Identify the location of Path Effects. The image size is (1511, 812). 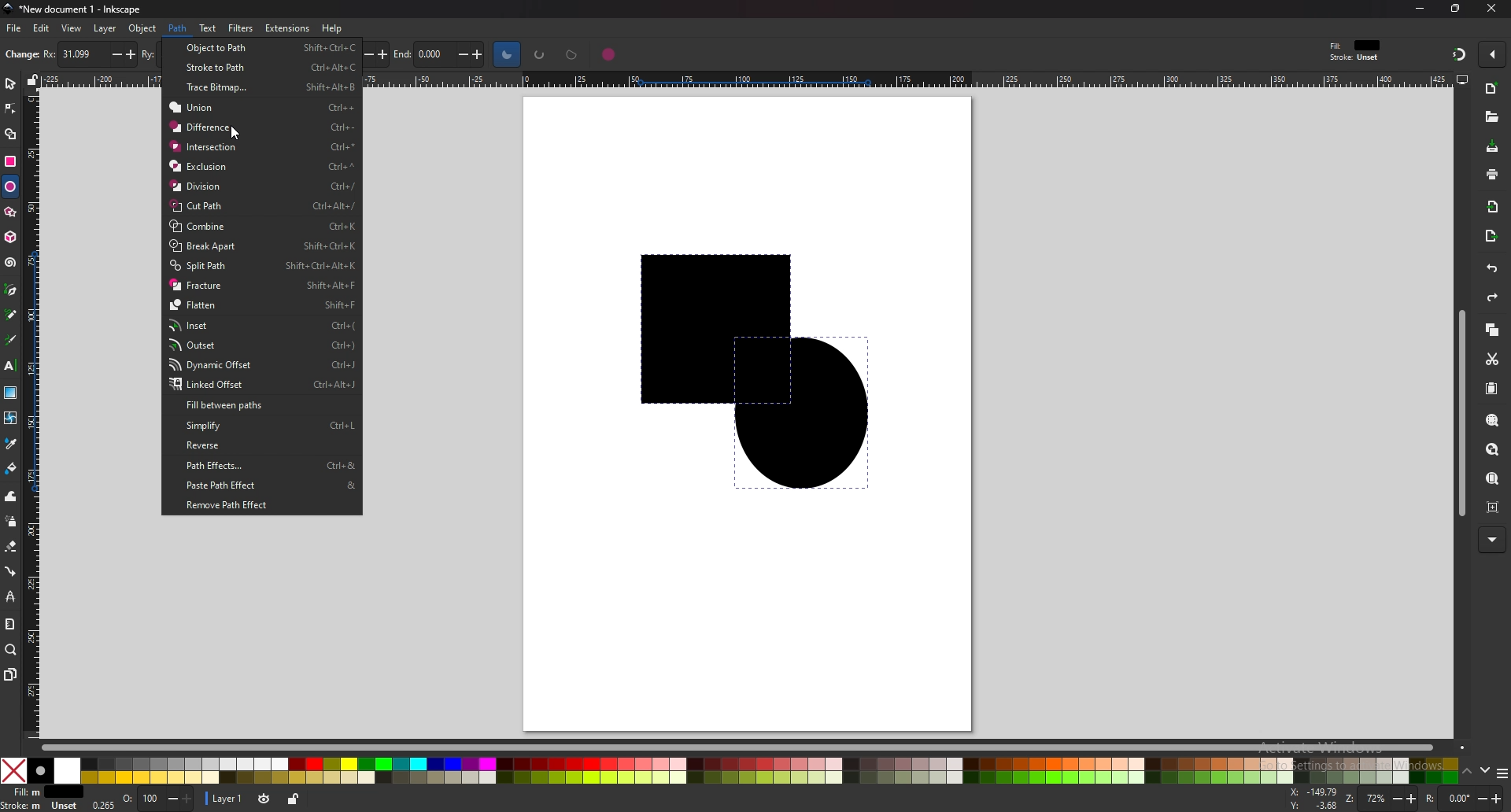
(263, 466).